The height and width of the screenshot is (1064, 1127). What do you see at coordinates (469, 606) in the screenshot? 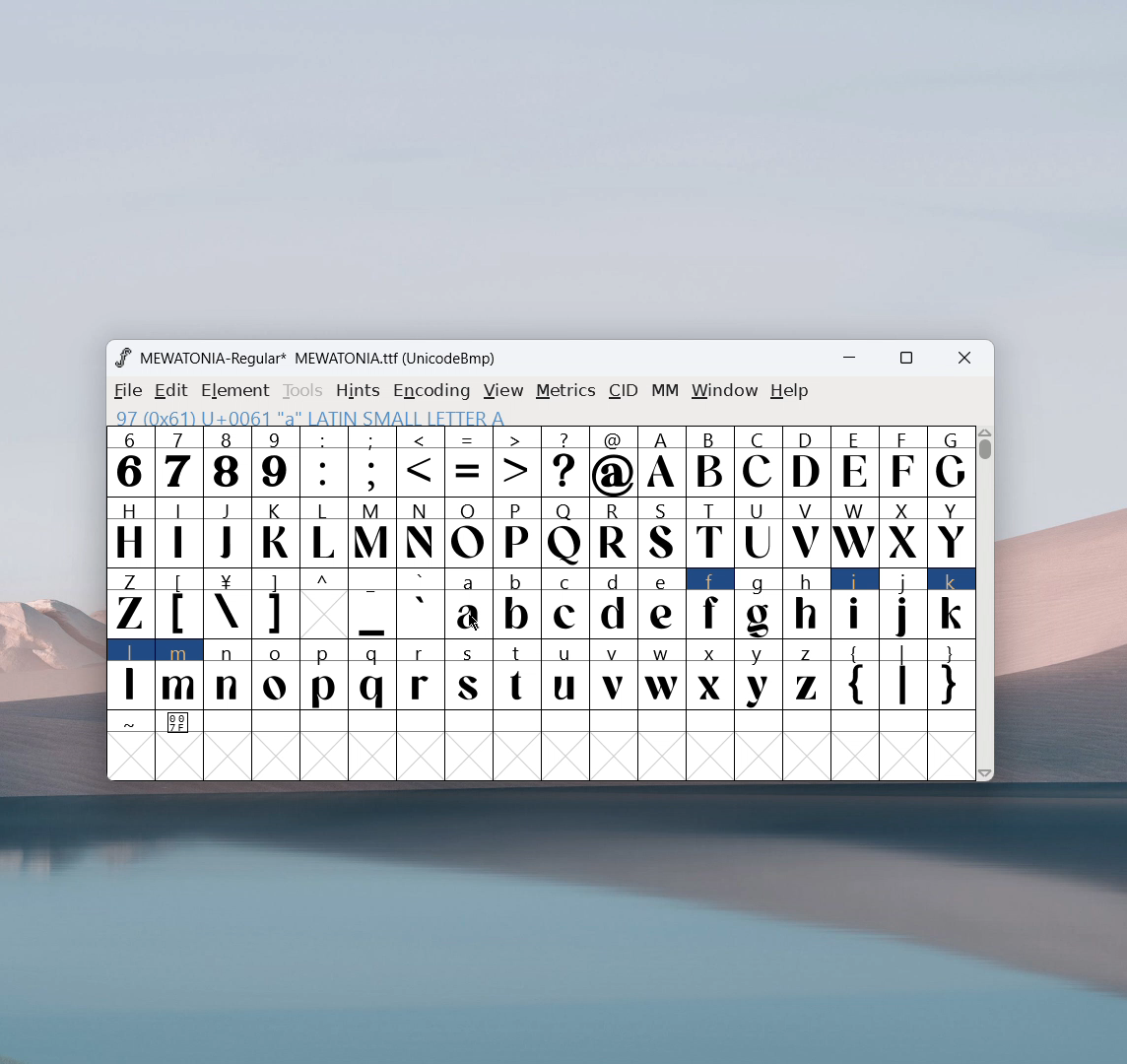
I see `a` at bounding box center [469, 606].